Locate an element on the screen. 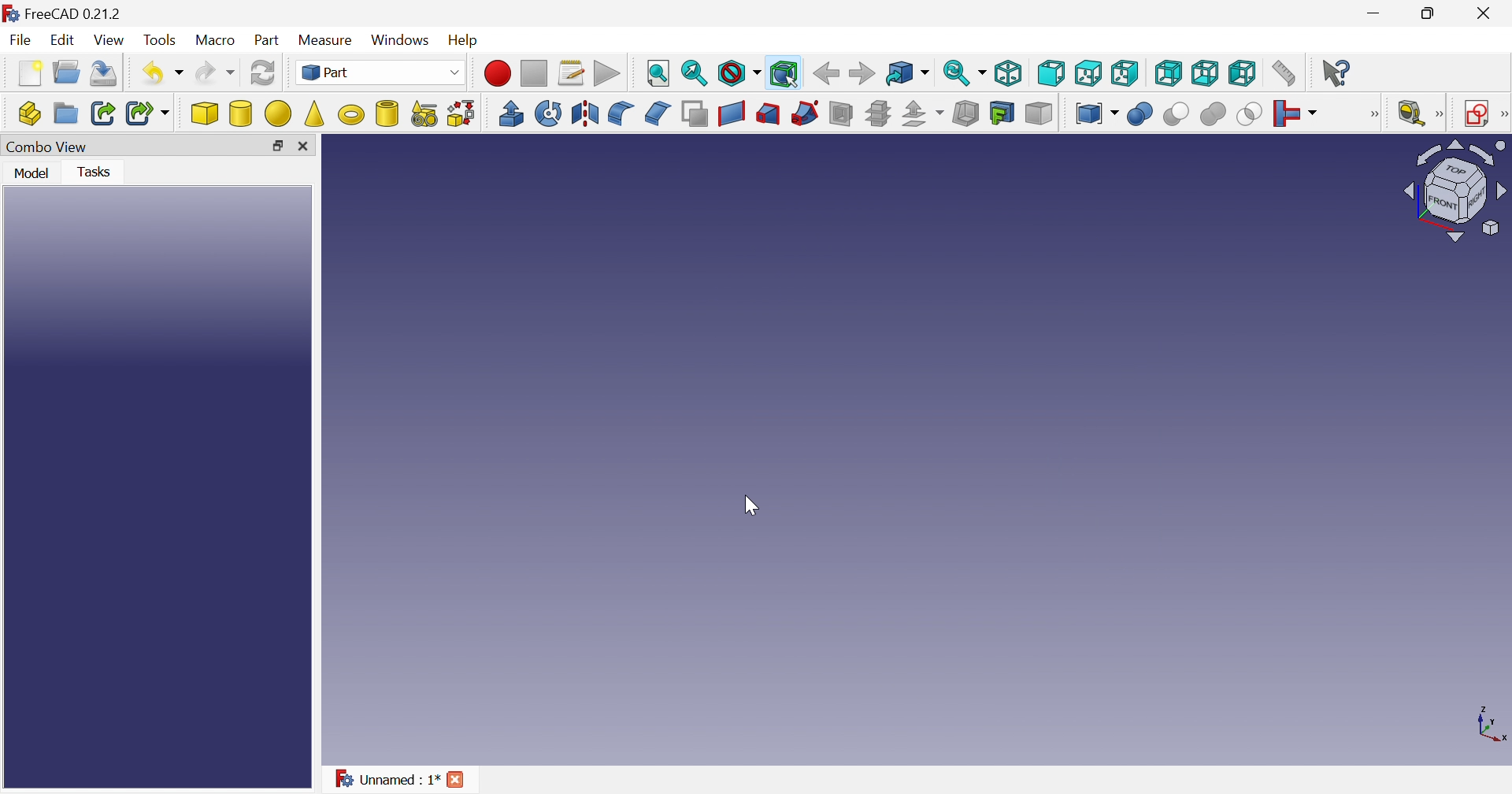 The image size is (1512, 794). Left is located at coordinates (1243, 74).